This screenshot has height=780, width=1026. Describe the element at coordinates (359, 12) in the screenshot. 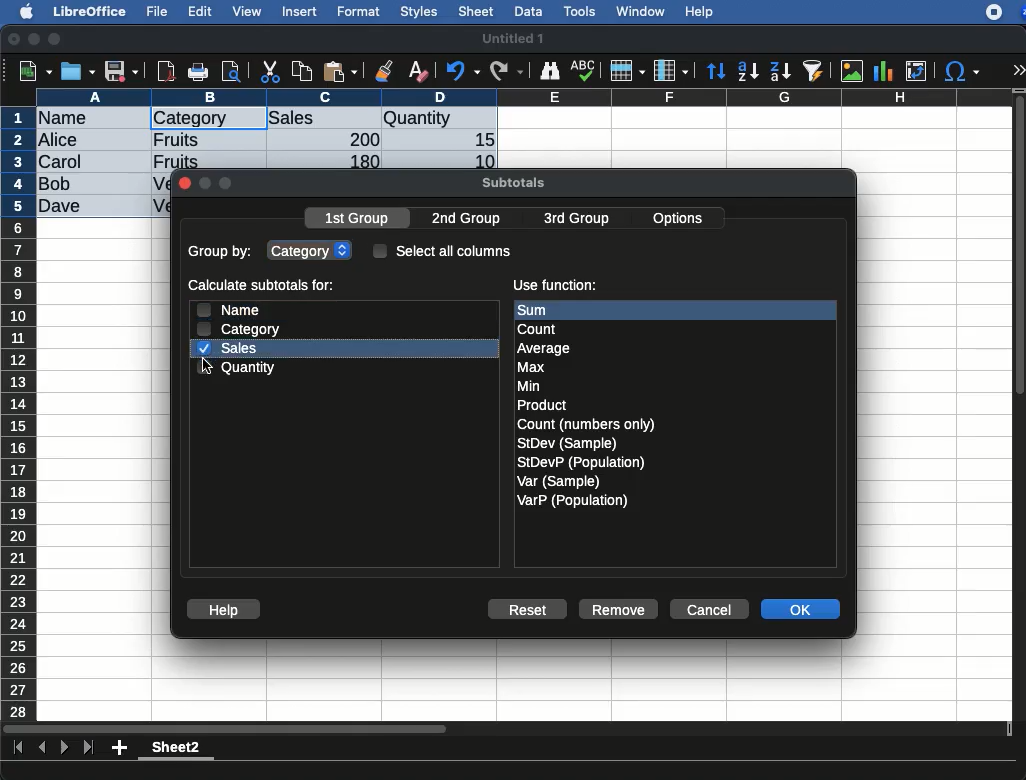

I see `format` at that location.